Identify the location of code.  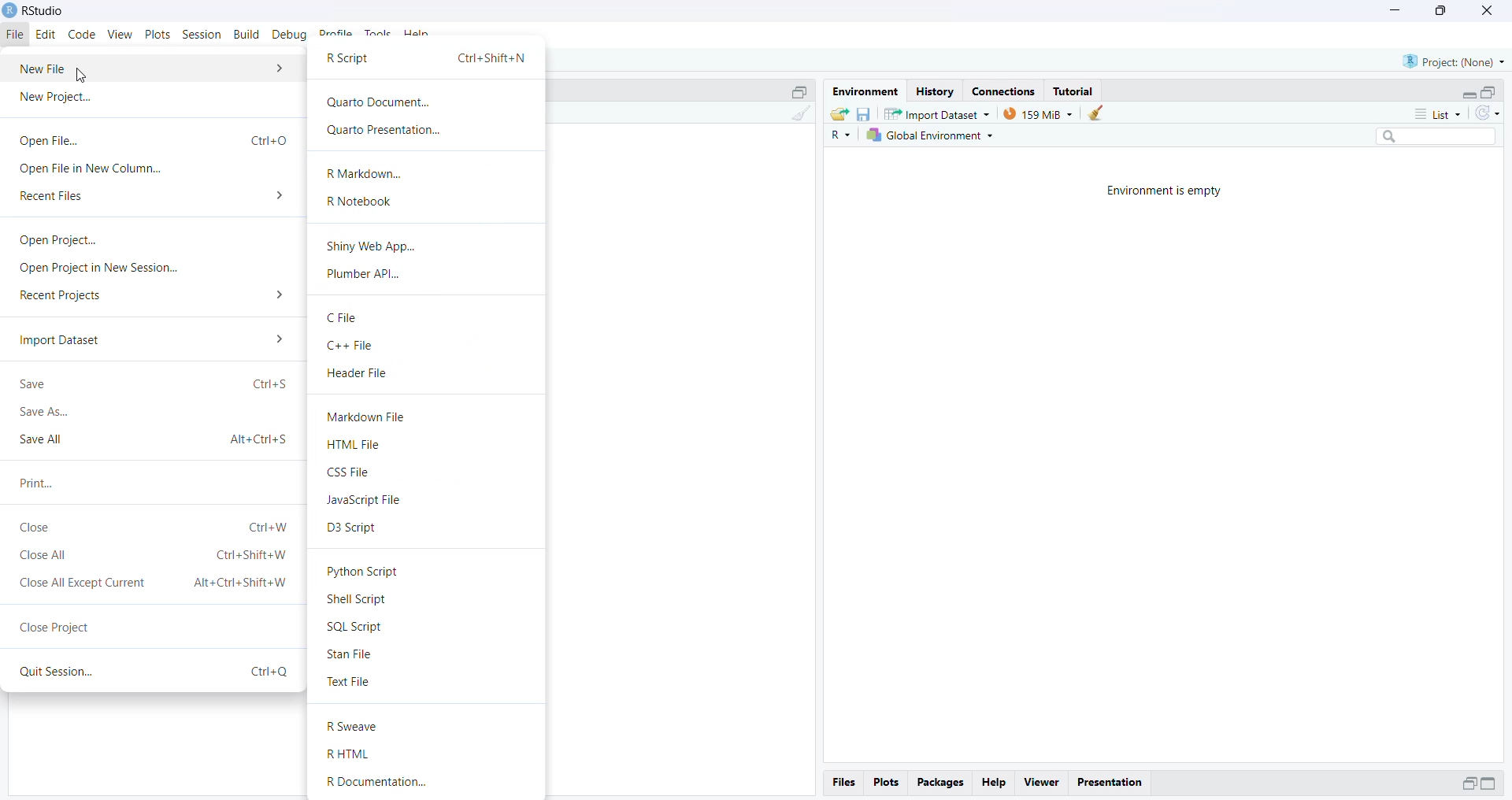
(83, 34).